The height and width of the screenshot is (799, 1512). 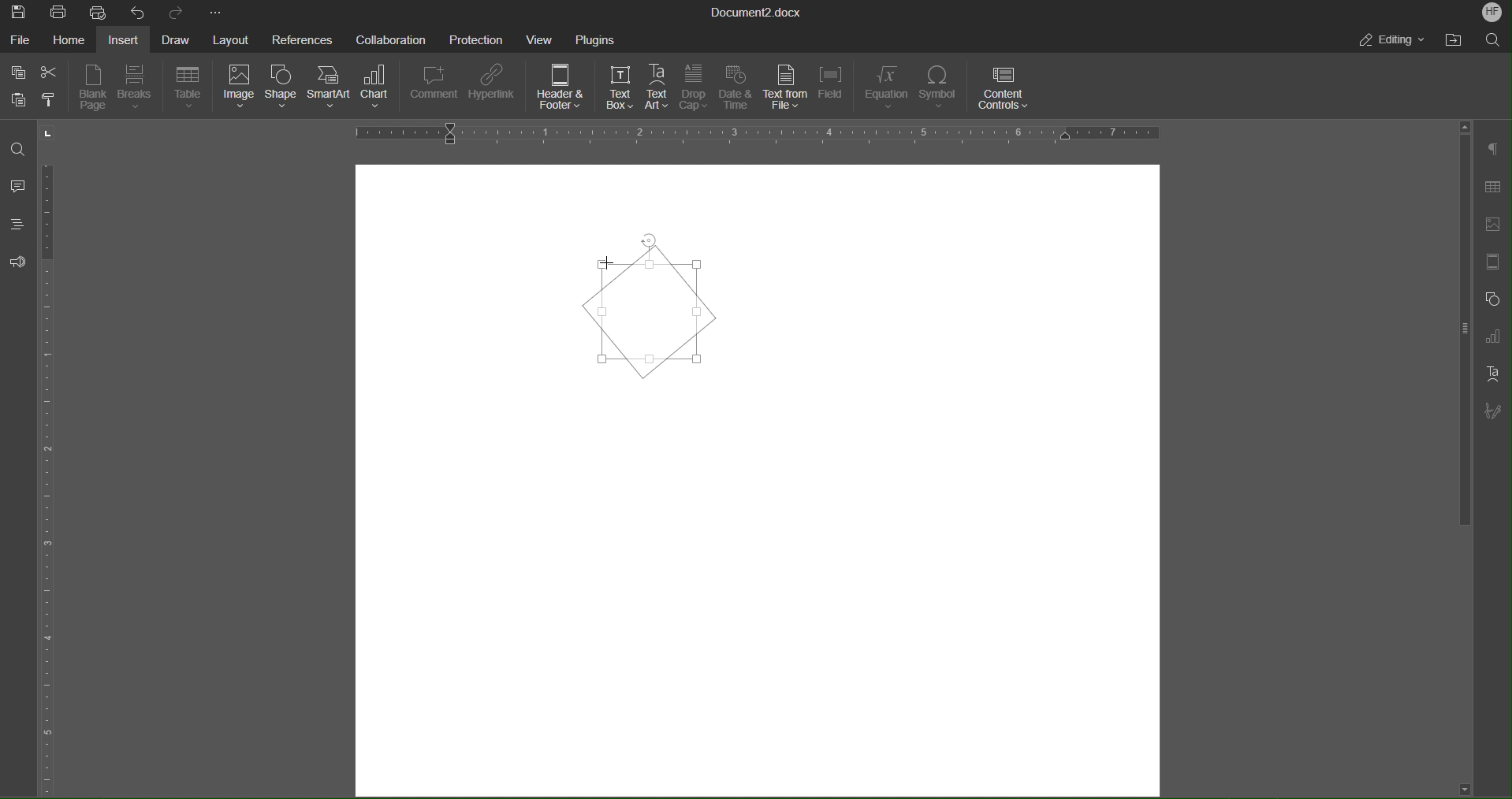 What do you see at coordinates (833, 88) in the screenshot?
I see `Field` at bounding box center [833, 88].